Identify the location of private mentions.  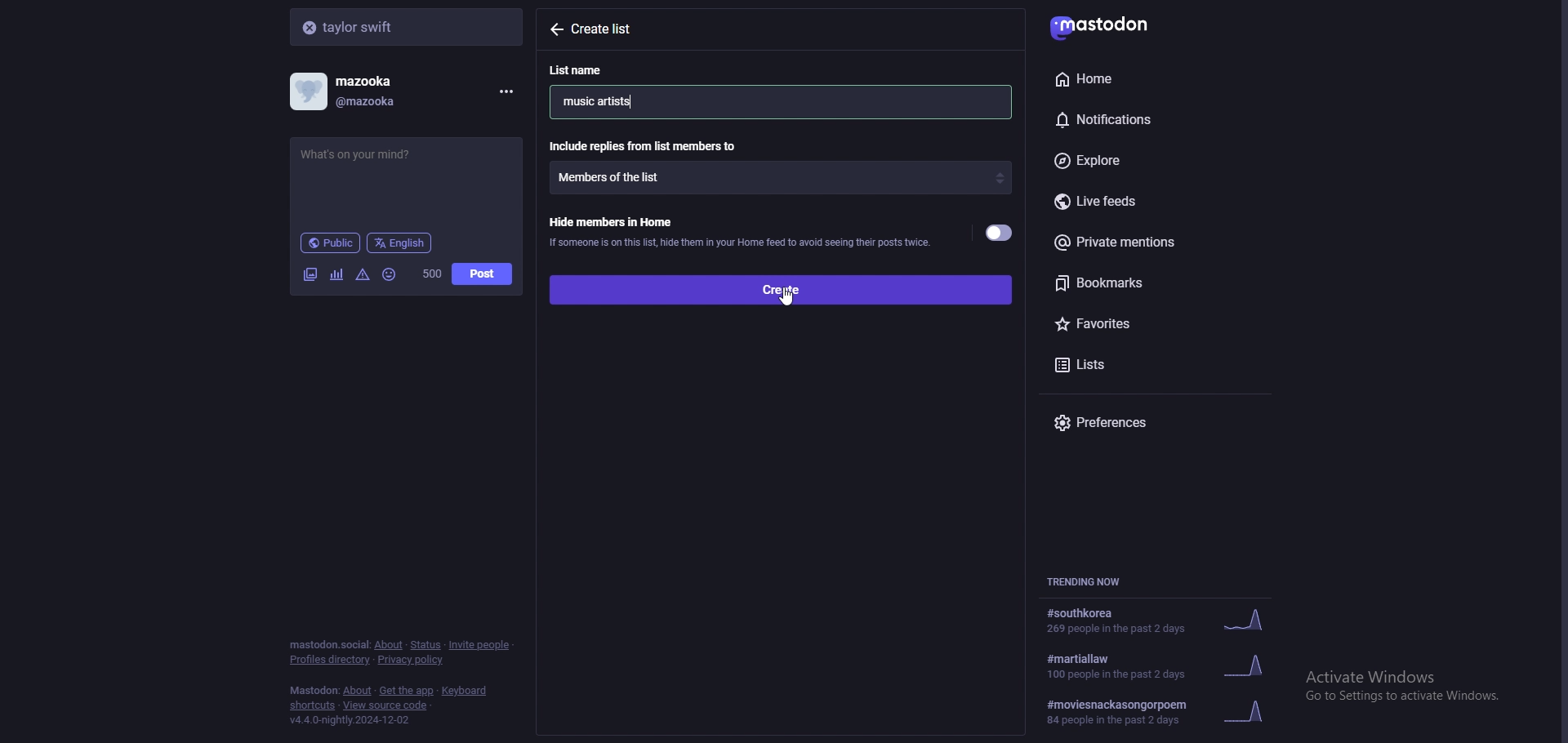
(1153, 242).